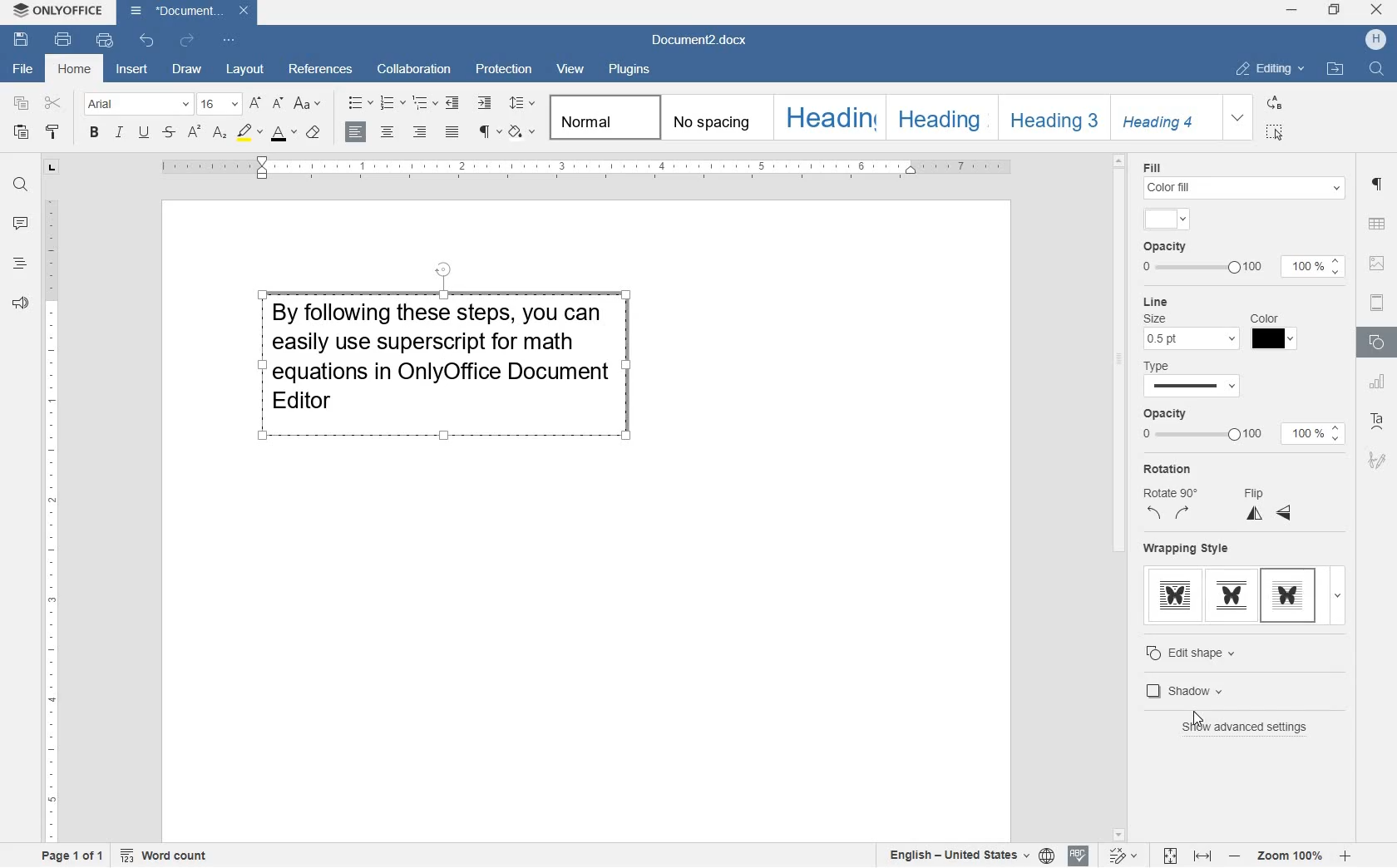 This screenshot has width=1397, height=868. I want to click on copy, so click(22, 104).